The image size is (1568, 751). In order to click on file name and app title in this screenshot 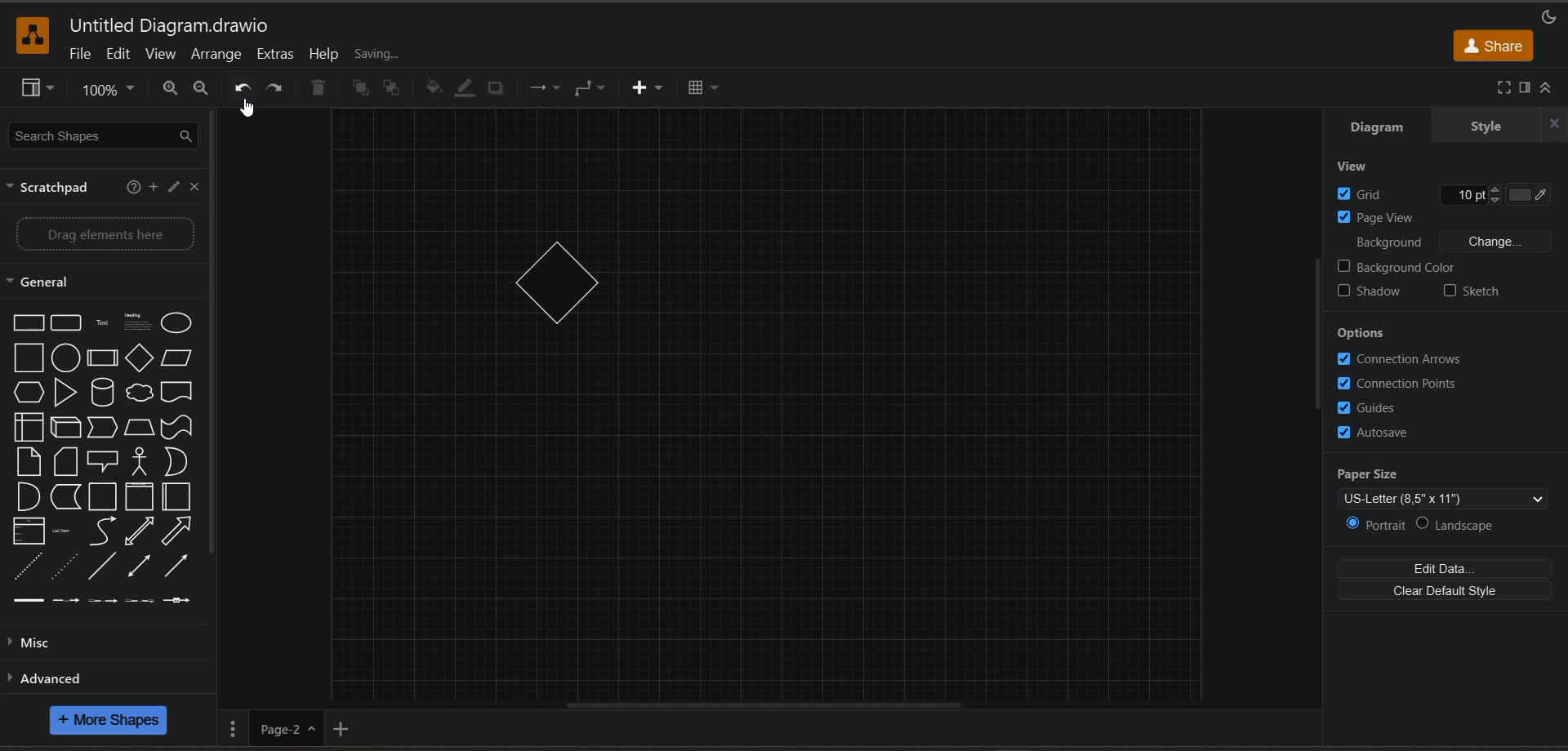, I will do `click(179, 27)`.